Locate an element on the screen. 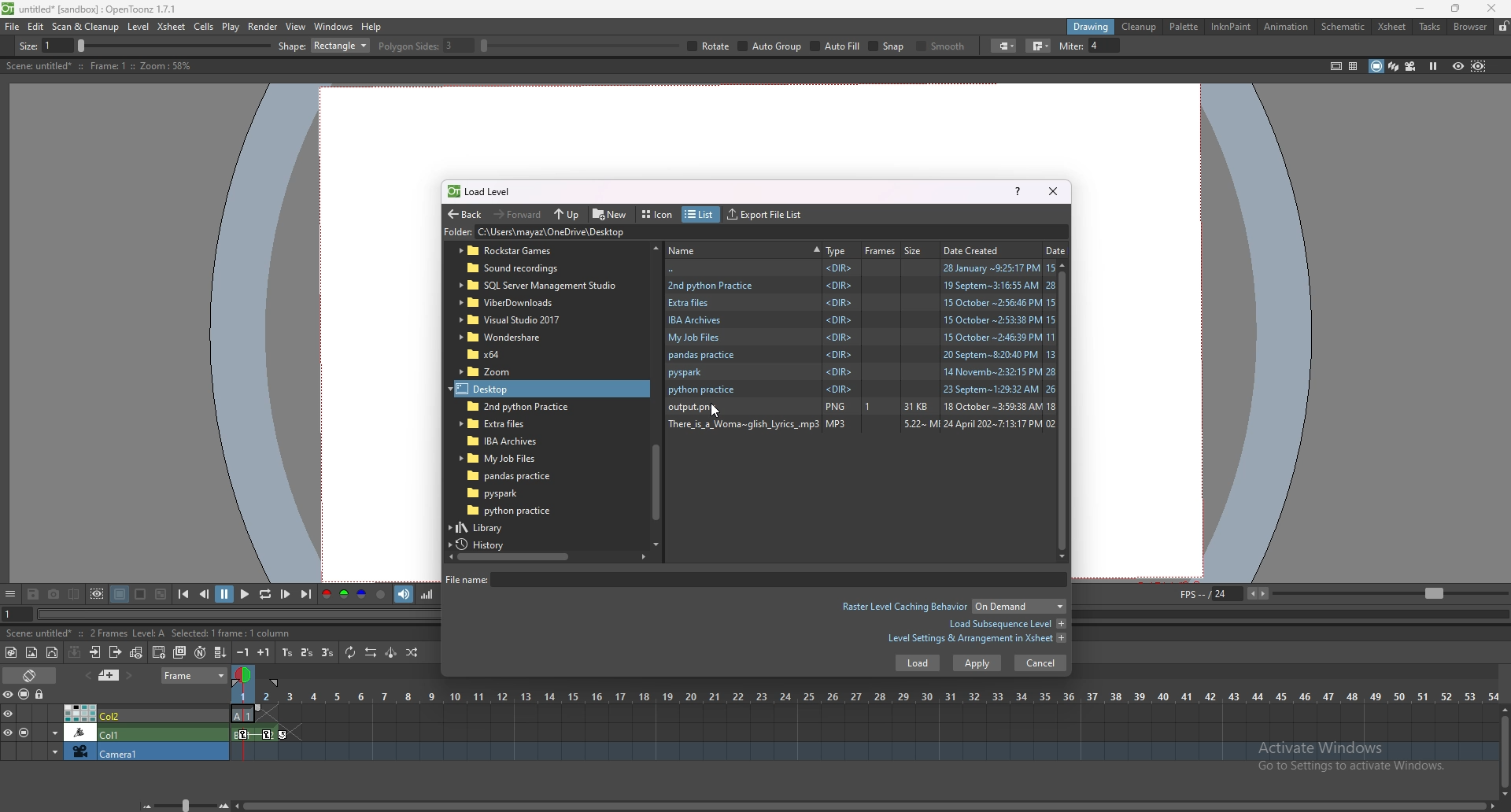 The height and width of the screenshot is (812, 1511). load level is located at coordinates (486, 191).